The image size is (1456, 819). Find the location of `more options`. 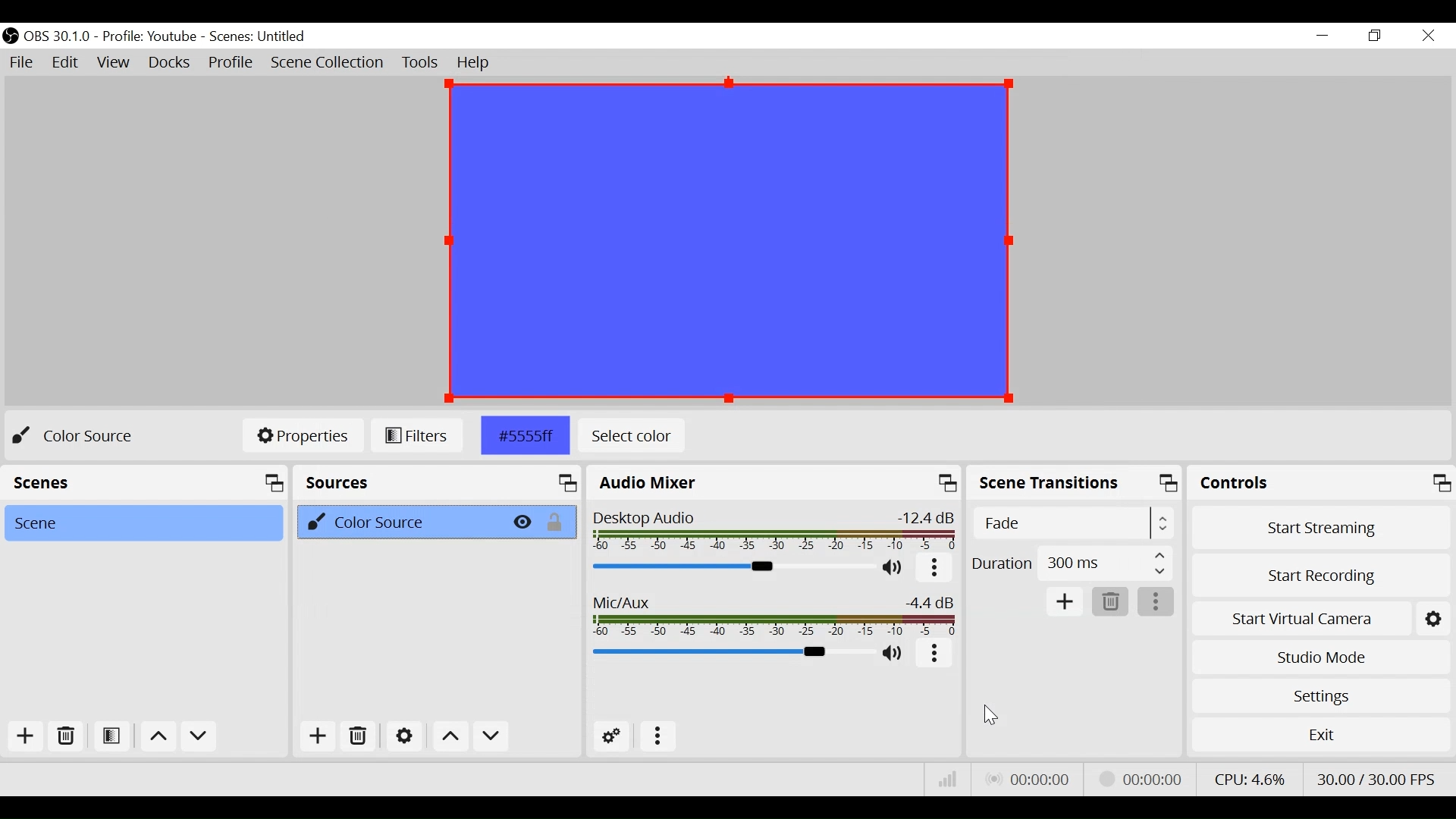

more options is located at coordinates (1157, 604).